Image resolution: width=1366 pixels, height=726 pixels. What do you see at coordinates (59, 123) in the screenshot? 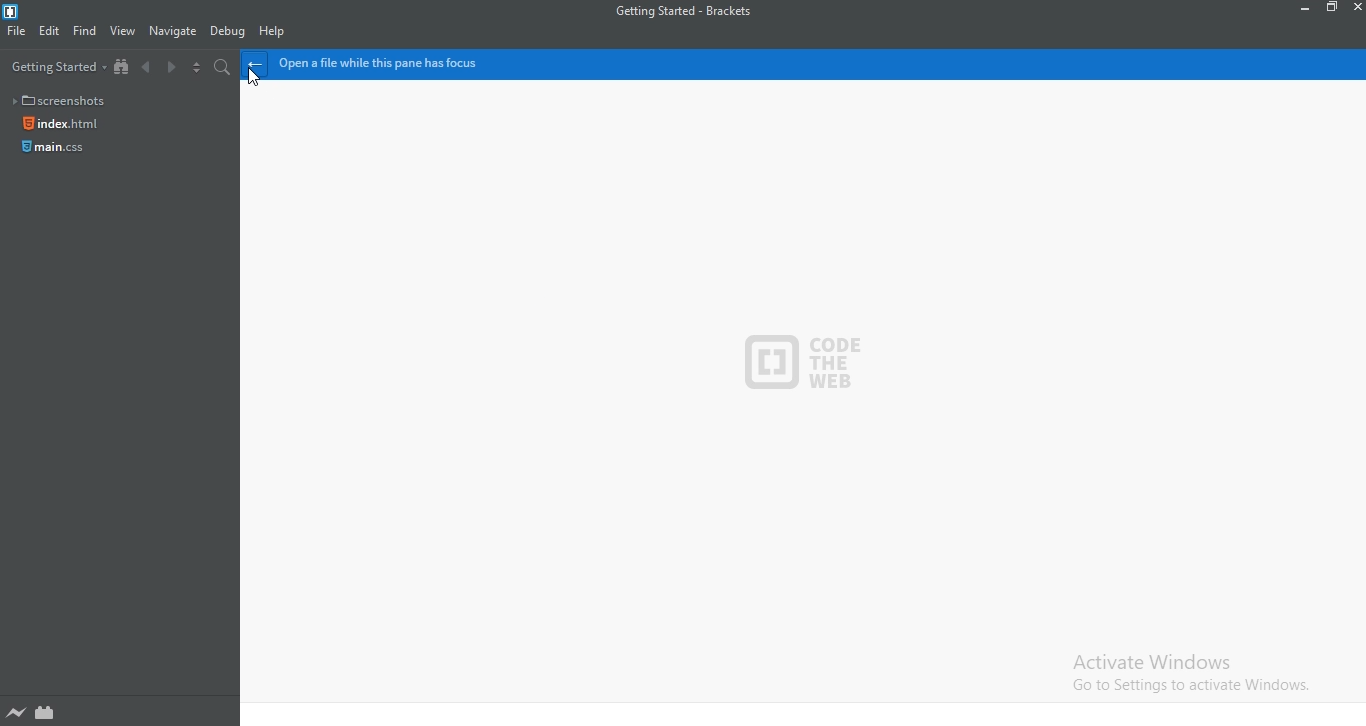
I see `Index.html` at bounding box center [59, 123].